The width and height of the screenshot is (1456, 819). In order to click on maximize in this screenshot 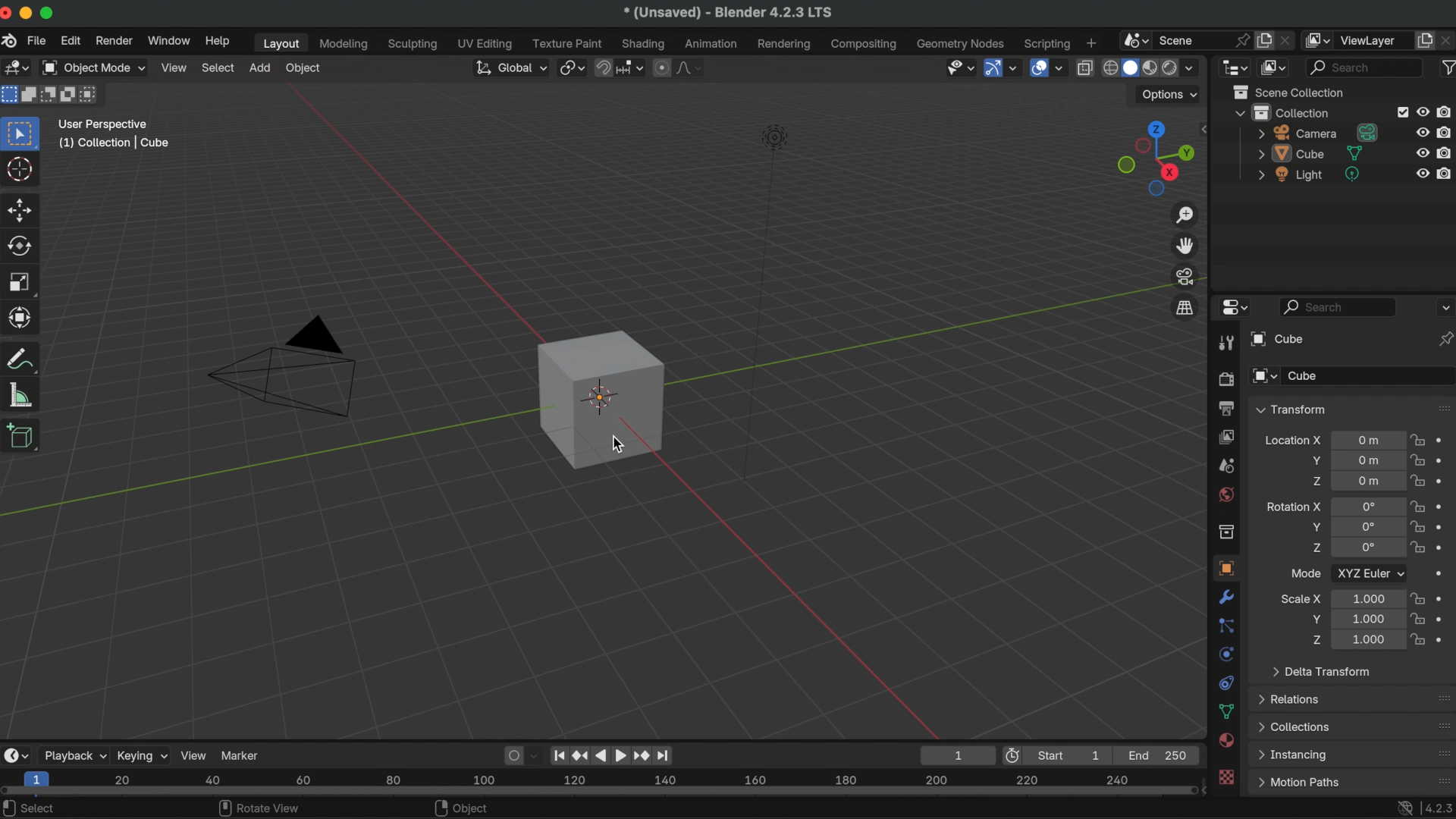, I will do `click(49, 12)`.